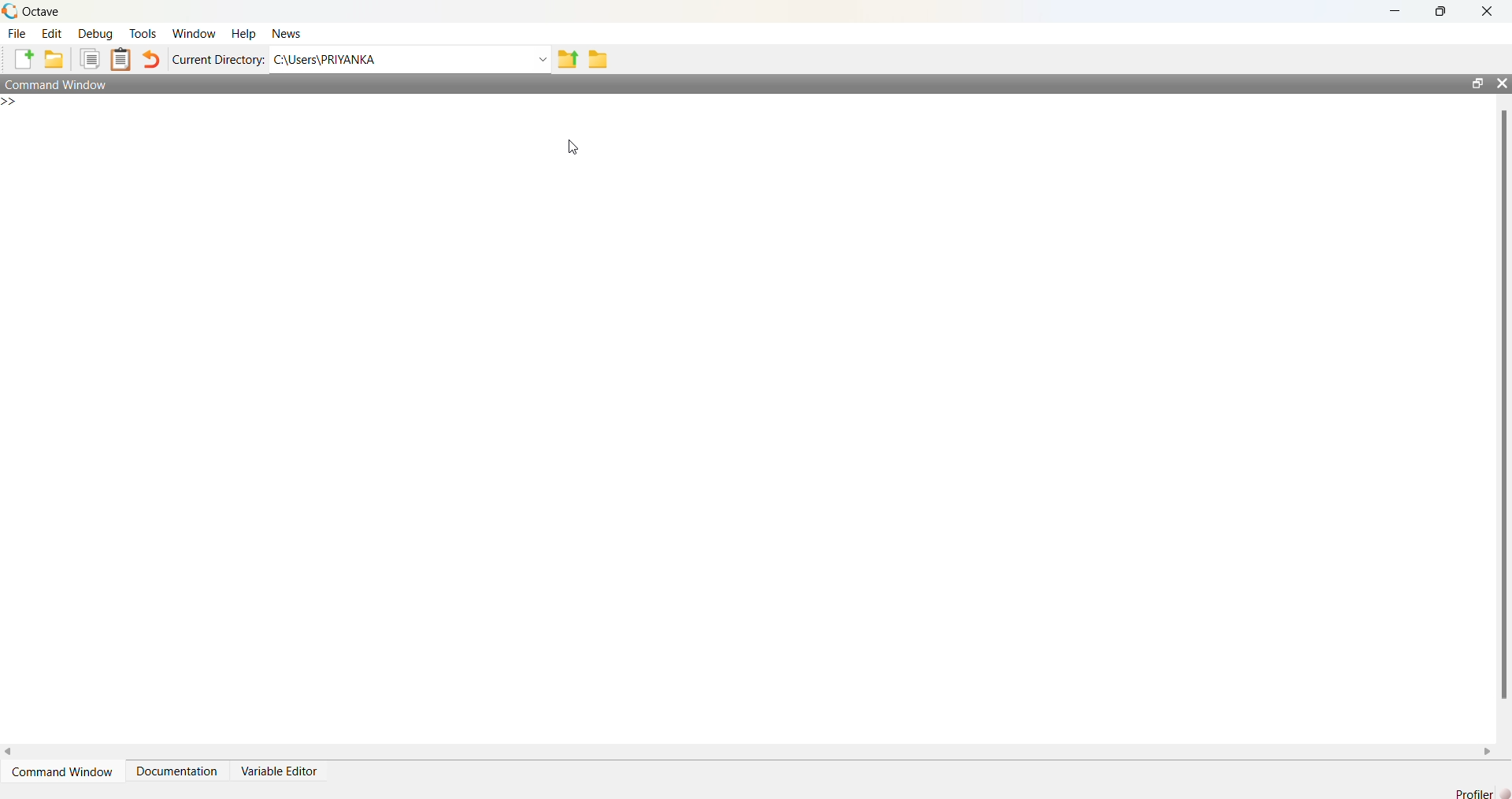 The width and height of the screenshot is (1512, 799). I want to click on Variable Editor, so click(278, 771).